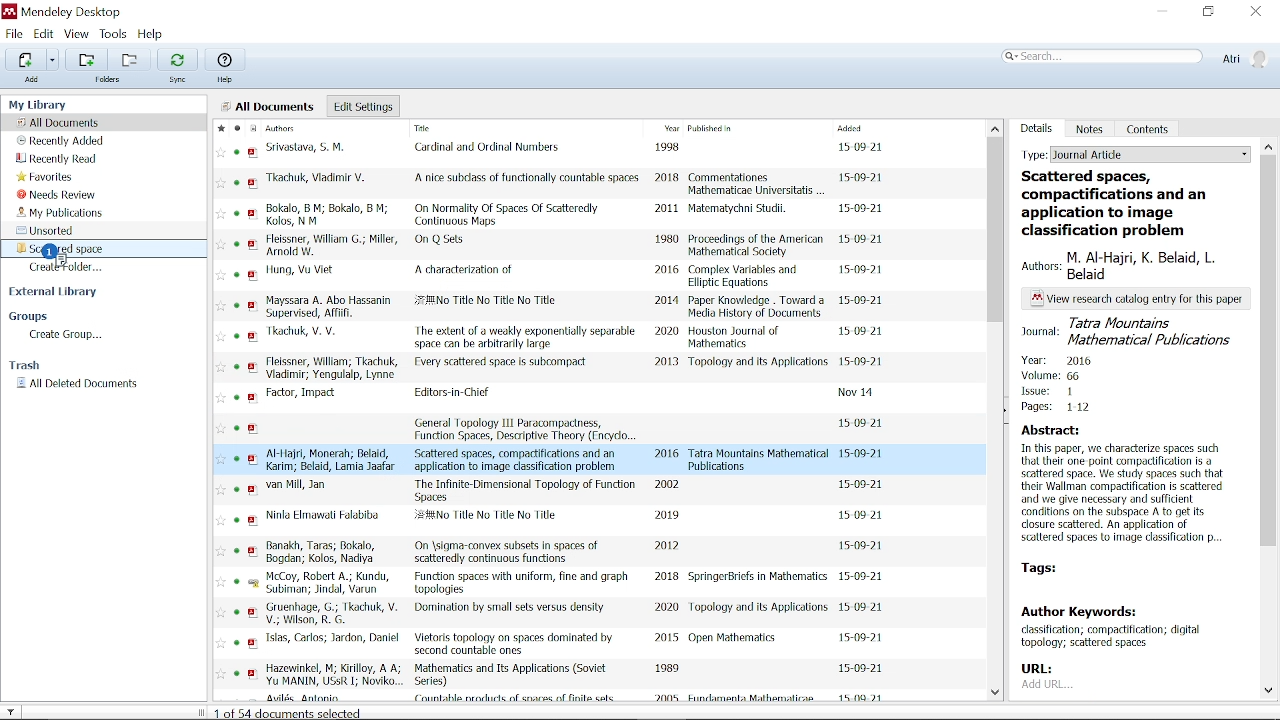 The image size is (1280, 720). Describe the element at coordinates (740, 338) in the screenshot. I see `Houston Journal of
Mathematics.` at that location.